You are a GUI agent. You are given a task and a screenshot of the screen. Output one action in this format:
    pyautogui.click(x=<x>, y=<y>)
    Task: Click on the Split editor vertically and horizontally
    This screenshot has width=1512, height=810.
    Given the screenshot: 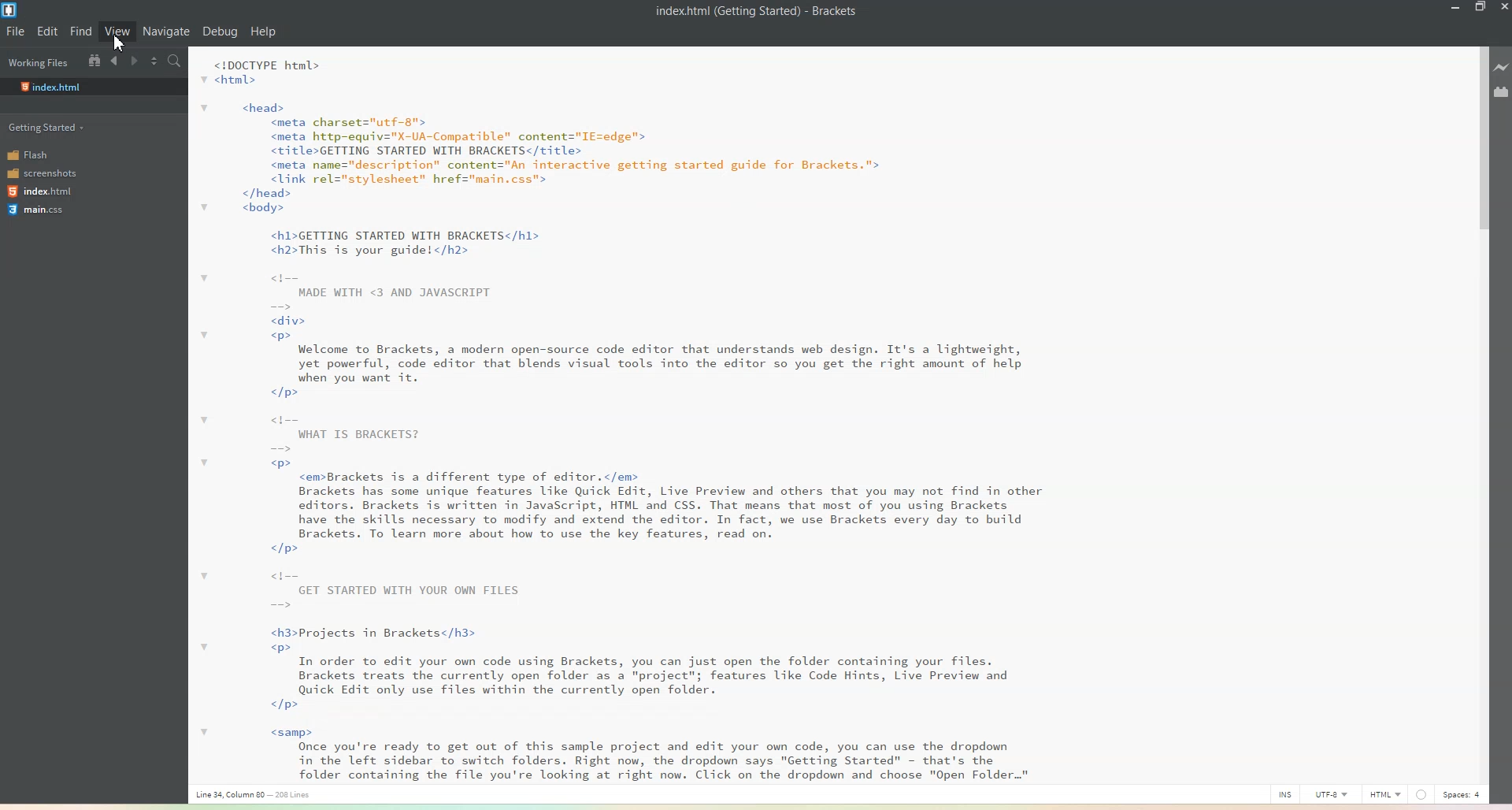 What is the action you would take?
    pyautogui.click(x=156, y=61)
    